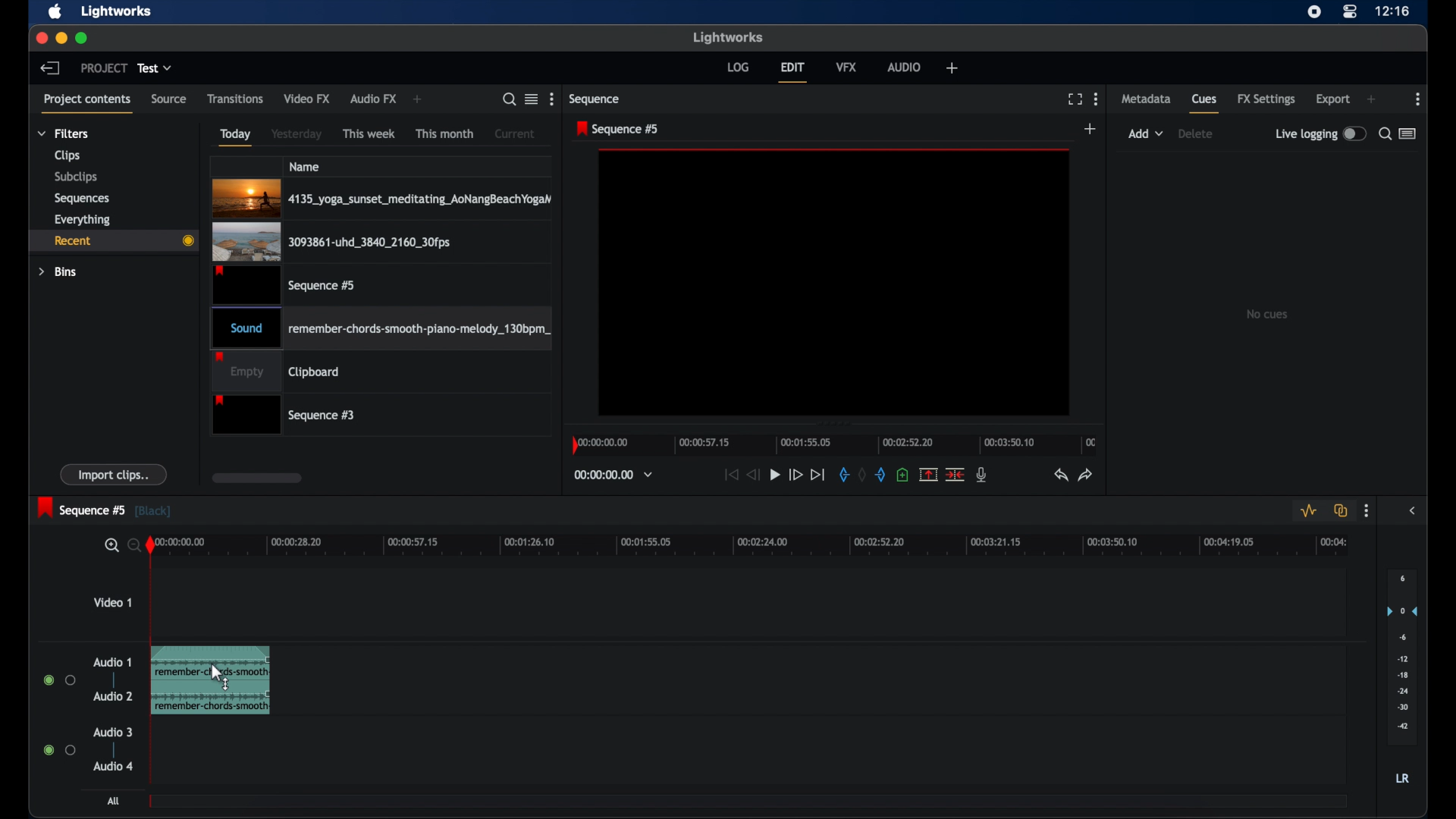 Image resolution: width=1456 pixels, height=819 pixels. What do you see at coordinates (256, 478) in the screenshot?
I see `scroll box` at bounding box center [256, 478].